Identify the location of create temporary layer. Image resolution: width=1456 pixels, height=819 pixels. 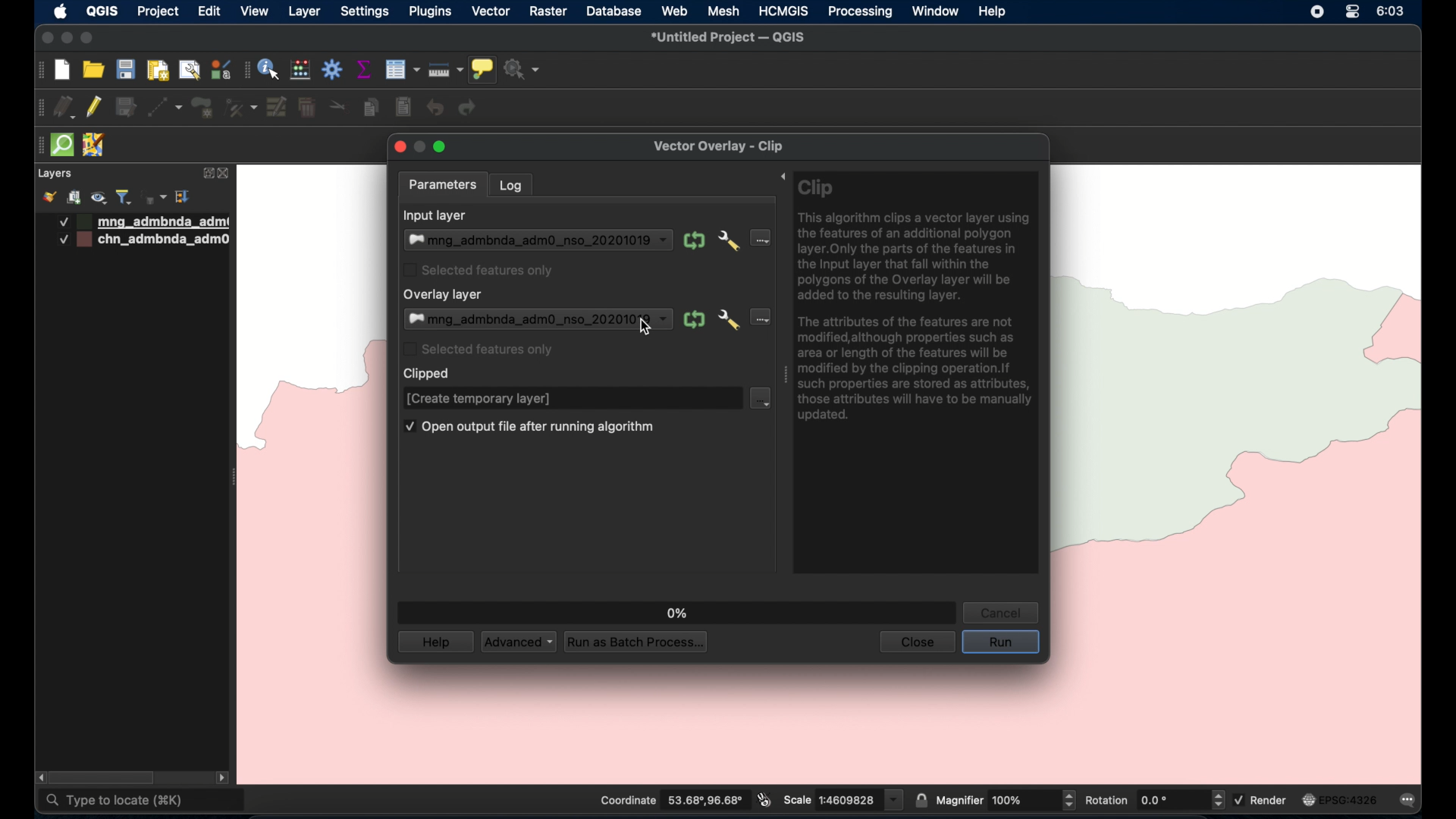
(482, 399).